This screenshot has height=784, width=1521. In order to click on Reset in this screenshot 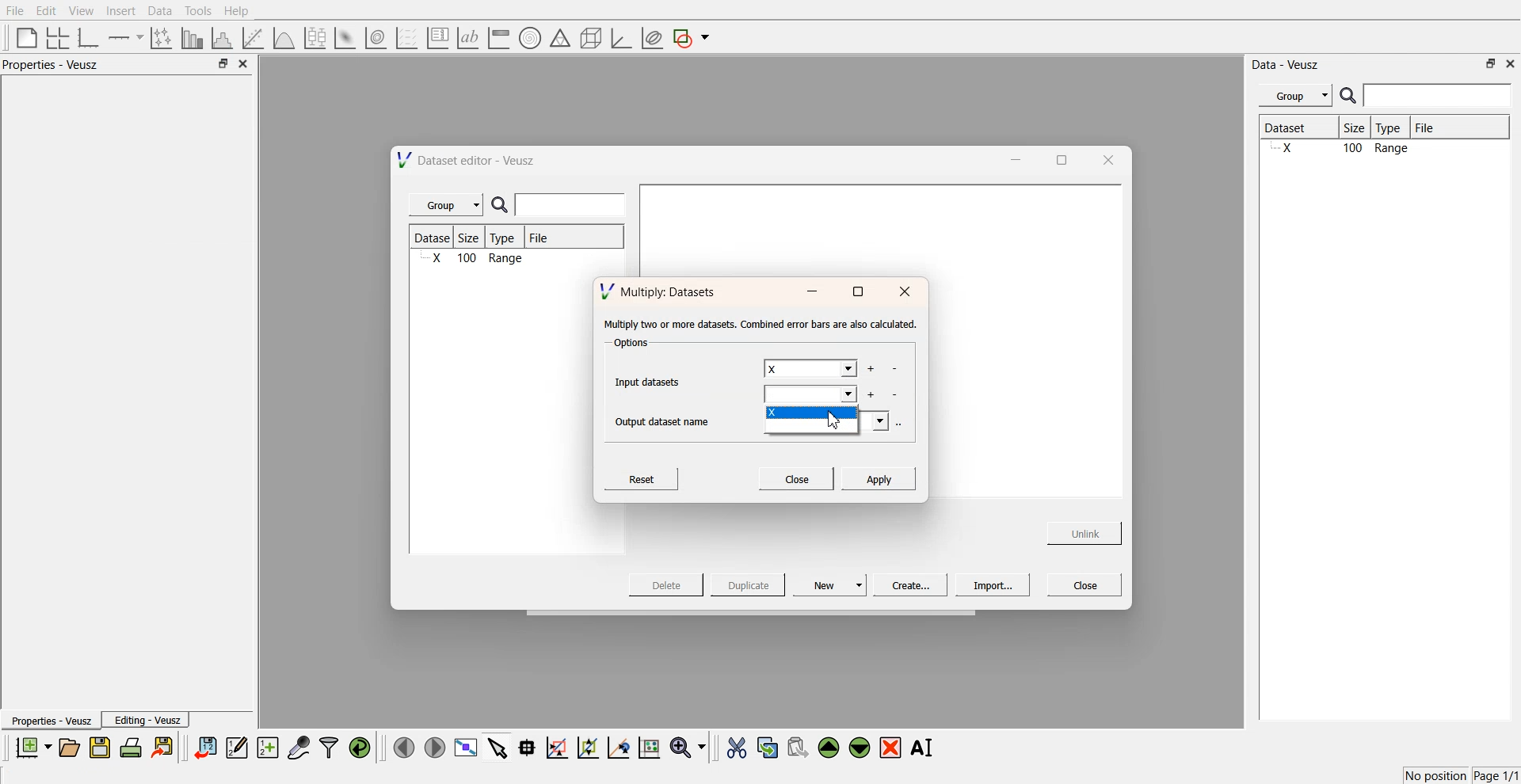, I will do `click(644, 478)`.